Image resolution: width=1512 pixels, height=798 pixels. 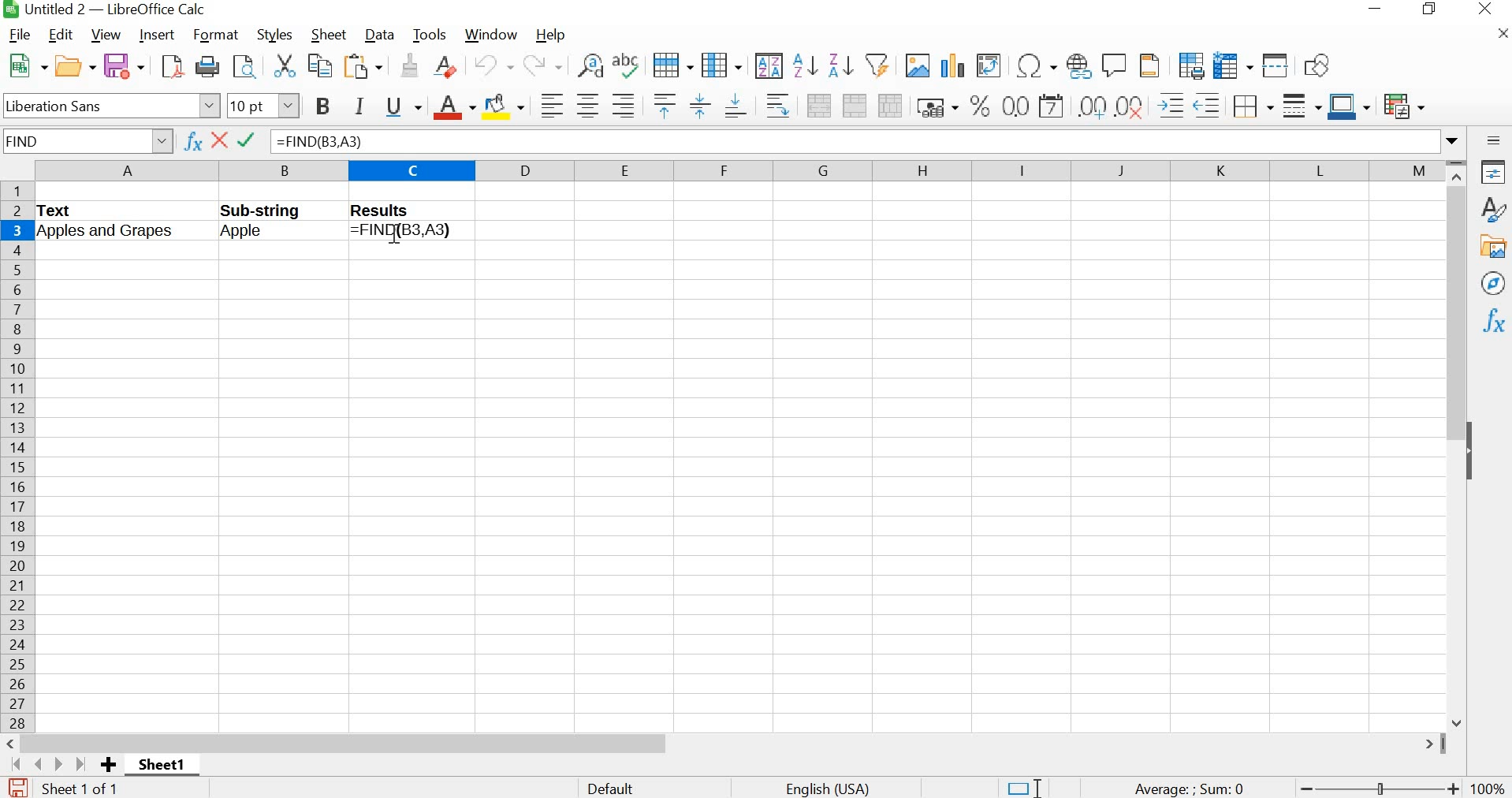 What do you see at coordinates (736, 170) in the screenshot?
I see `columns` at bounding box center [736, 170].